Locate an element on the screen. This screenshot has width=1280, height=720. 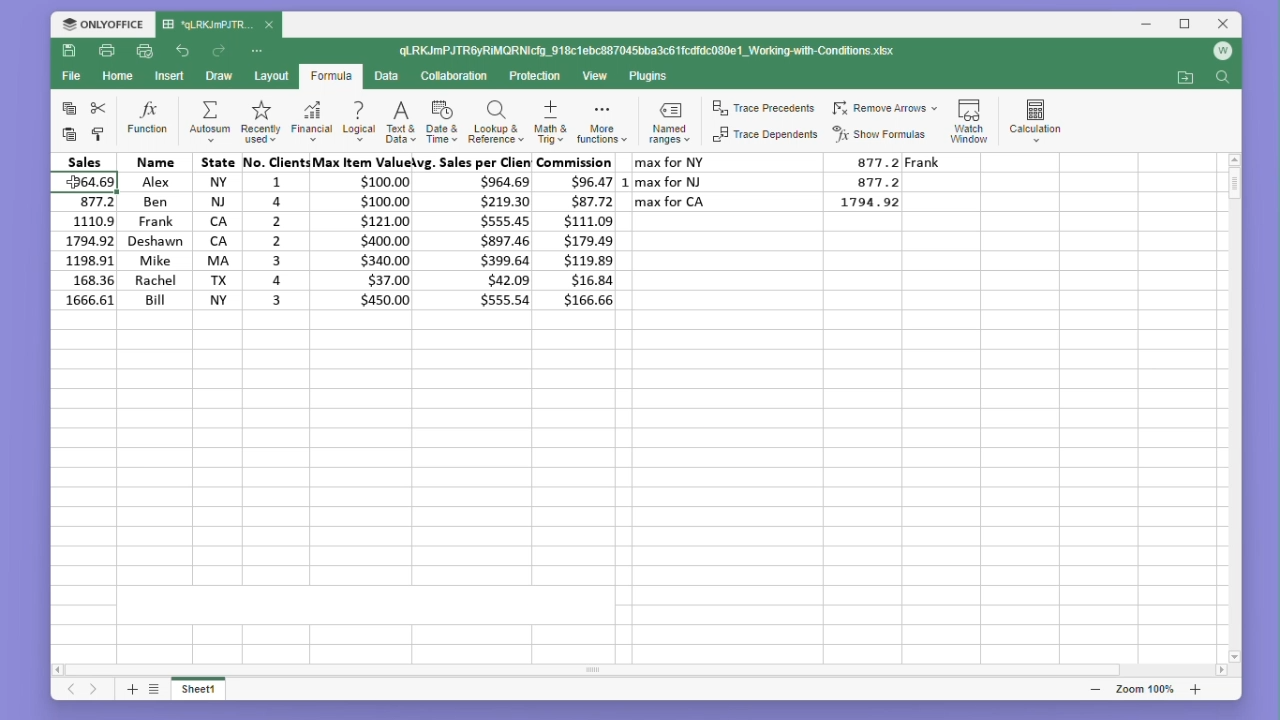
sales is located at coordinates (86, 231).